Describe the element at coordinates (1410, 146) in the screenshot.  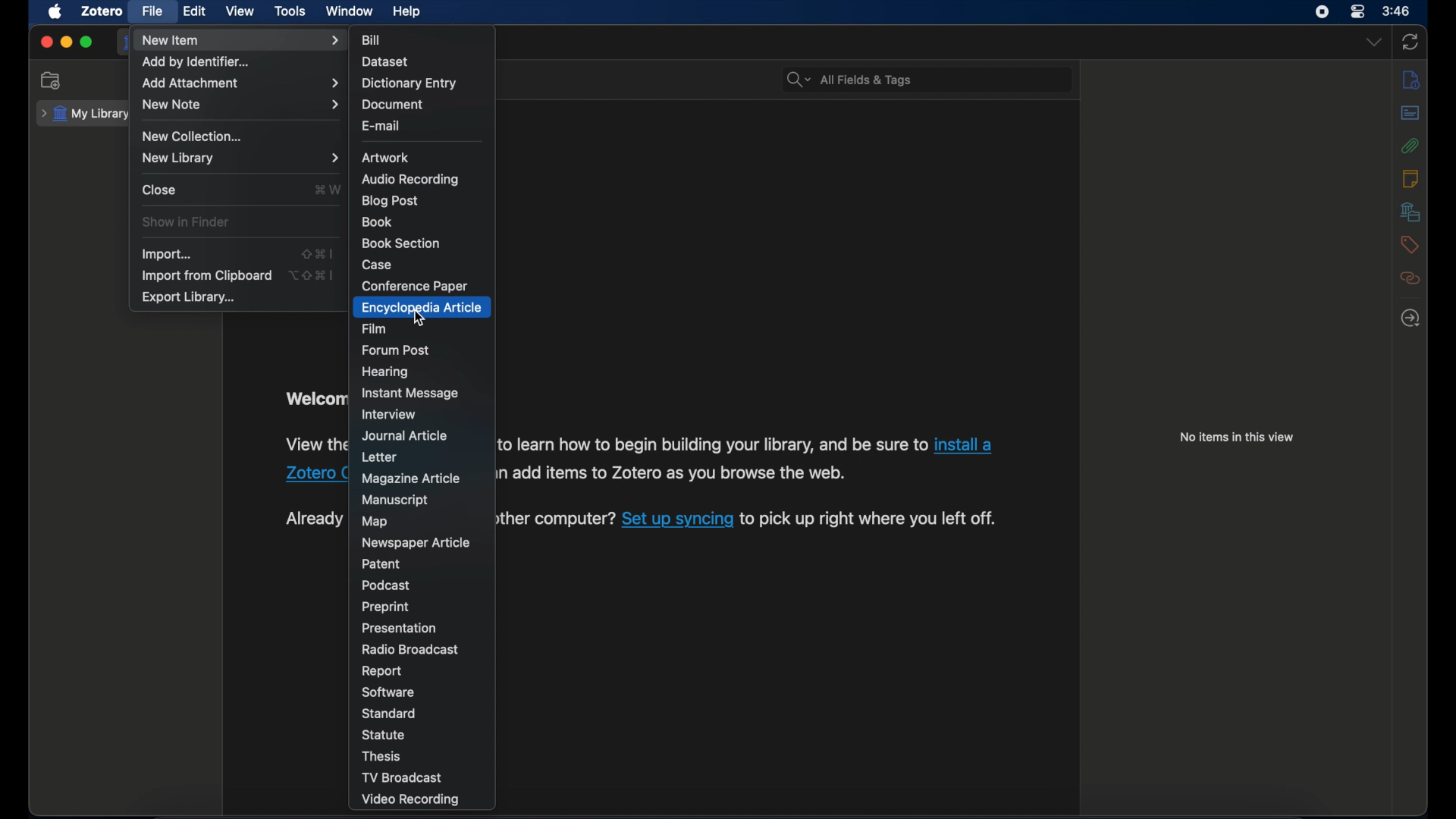
I see `attachments` at that location.